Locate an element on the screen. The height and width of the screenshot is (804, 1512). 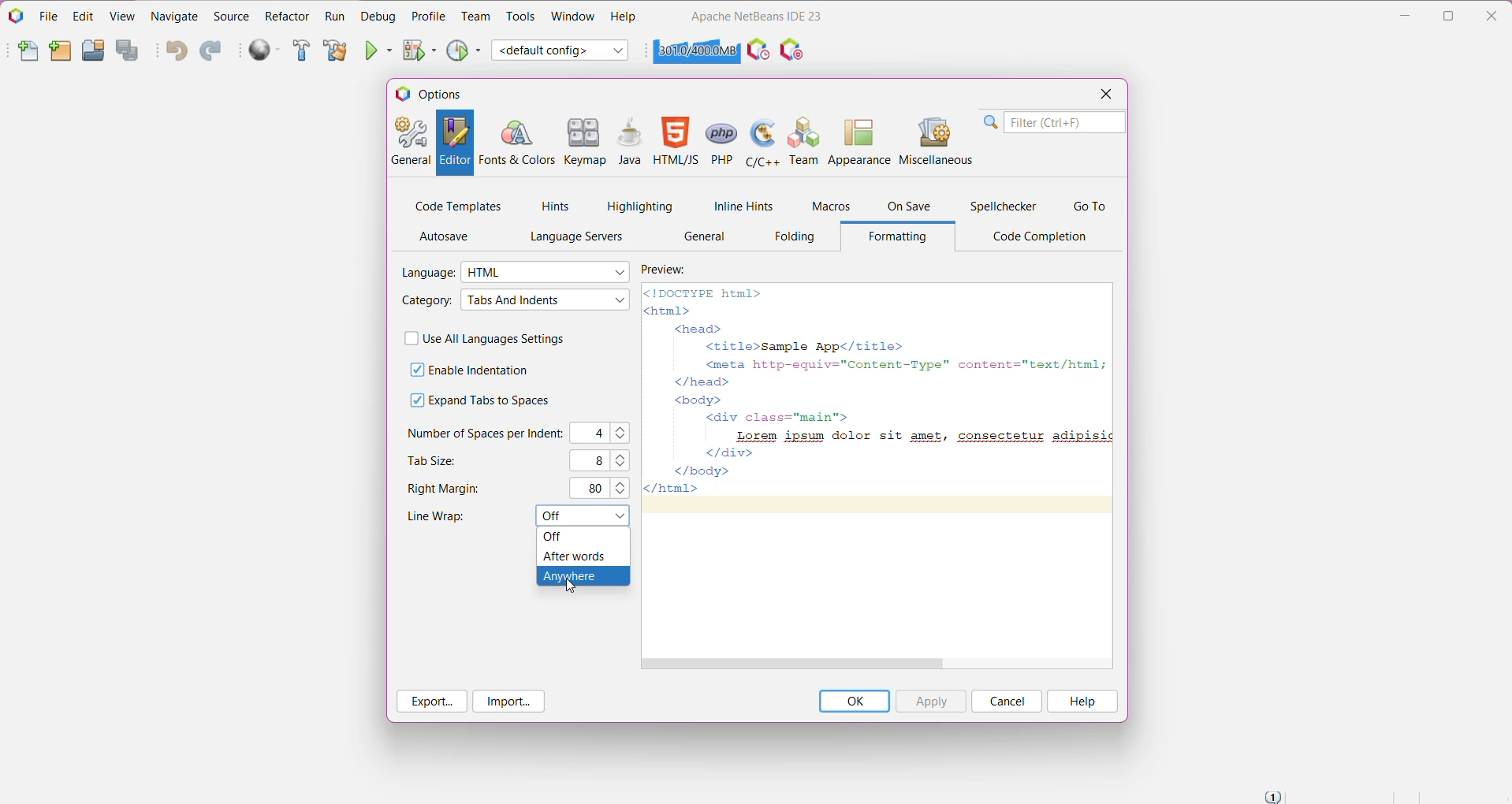
Search Bar is located at coordinates (1055, 122).